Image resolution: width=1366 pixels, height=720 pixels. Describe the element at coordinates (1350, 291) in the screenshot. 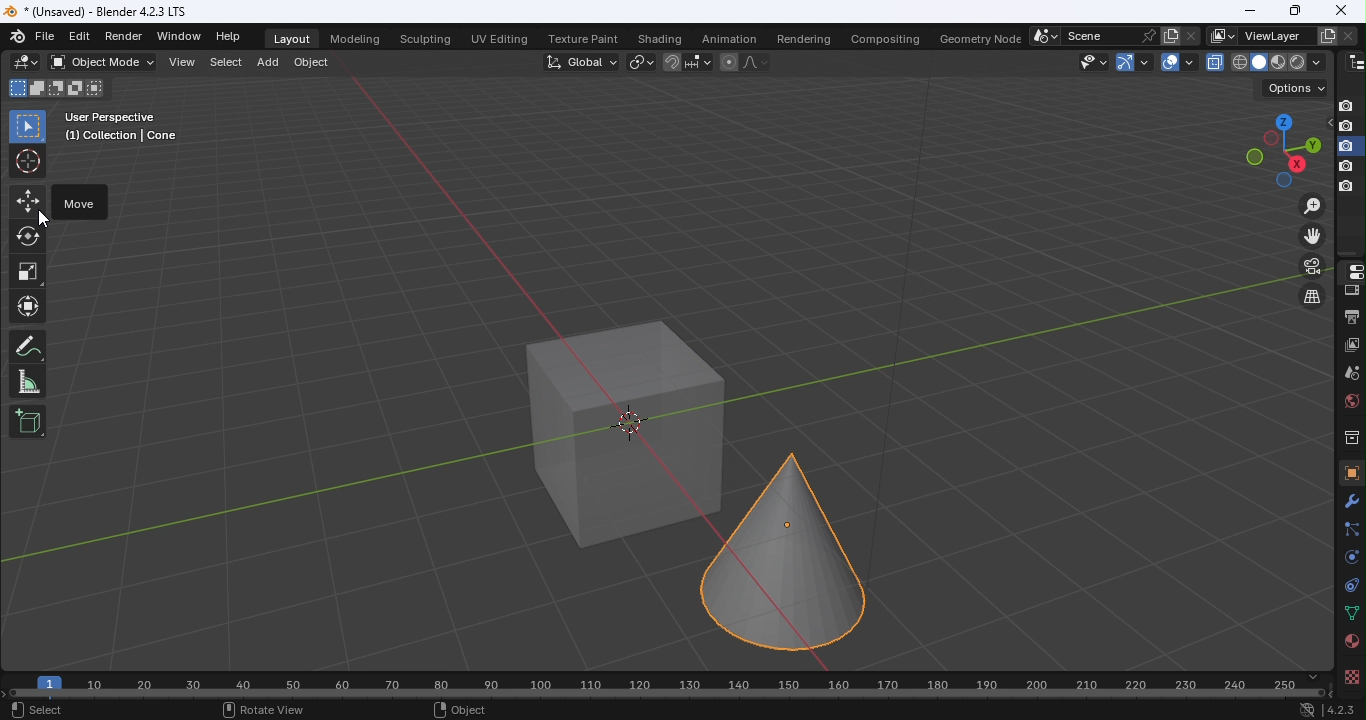

I see `Render` at that location.